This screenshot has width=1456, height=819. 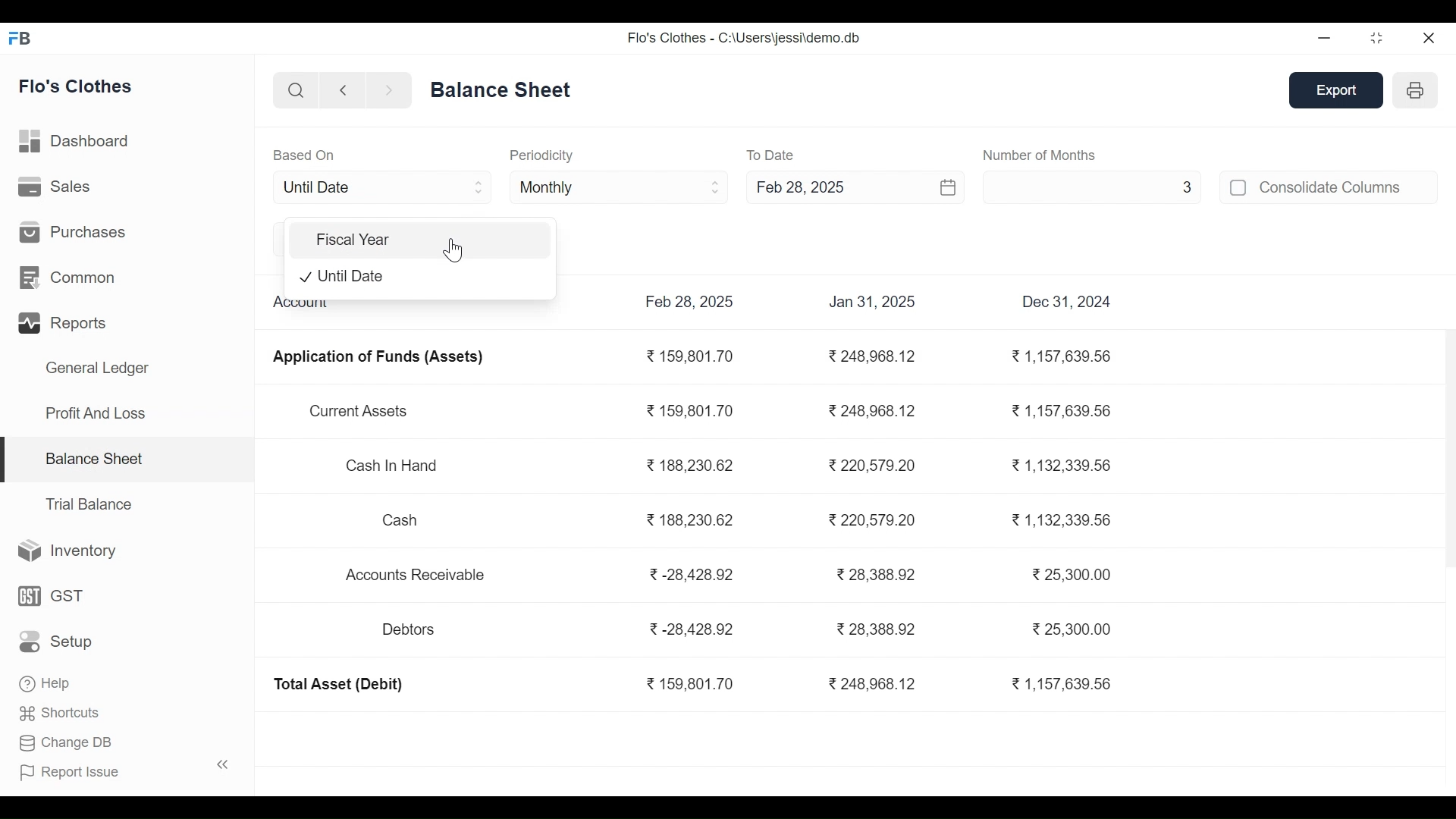 What do you see at coordinates (65, 324) in the screenshot?
I see `reports` at bounding box center [65, 324].